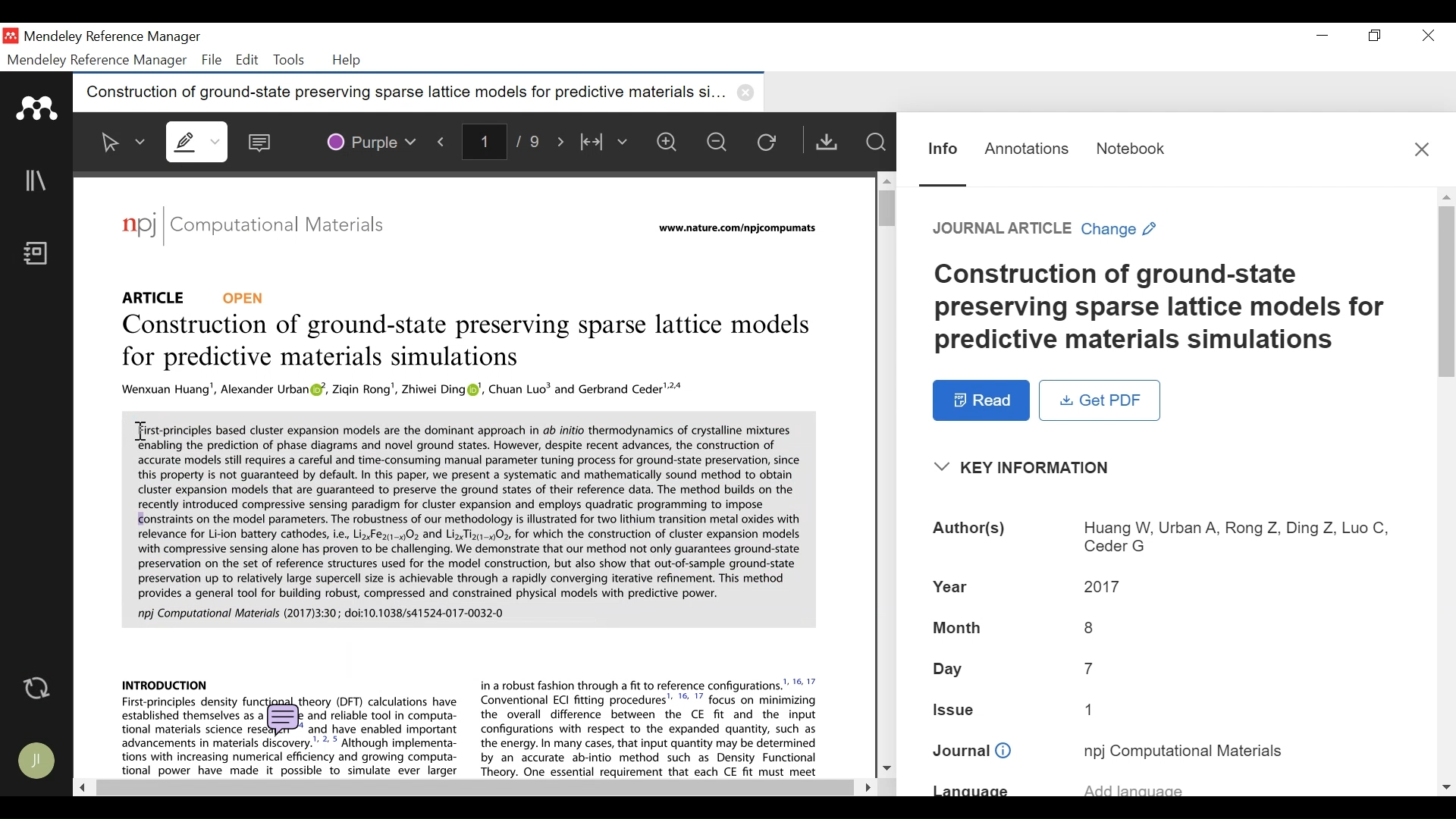 This screenshot has height=819, width=1456. Describe the element at coordinates (139, 224) in the screenshot. I see `logo` at that location.